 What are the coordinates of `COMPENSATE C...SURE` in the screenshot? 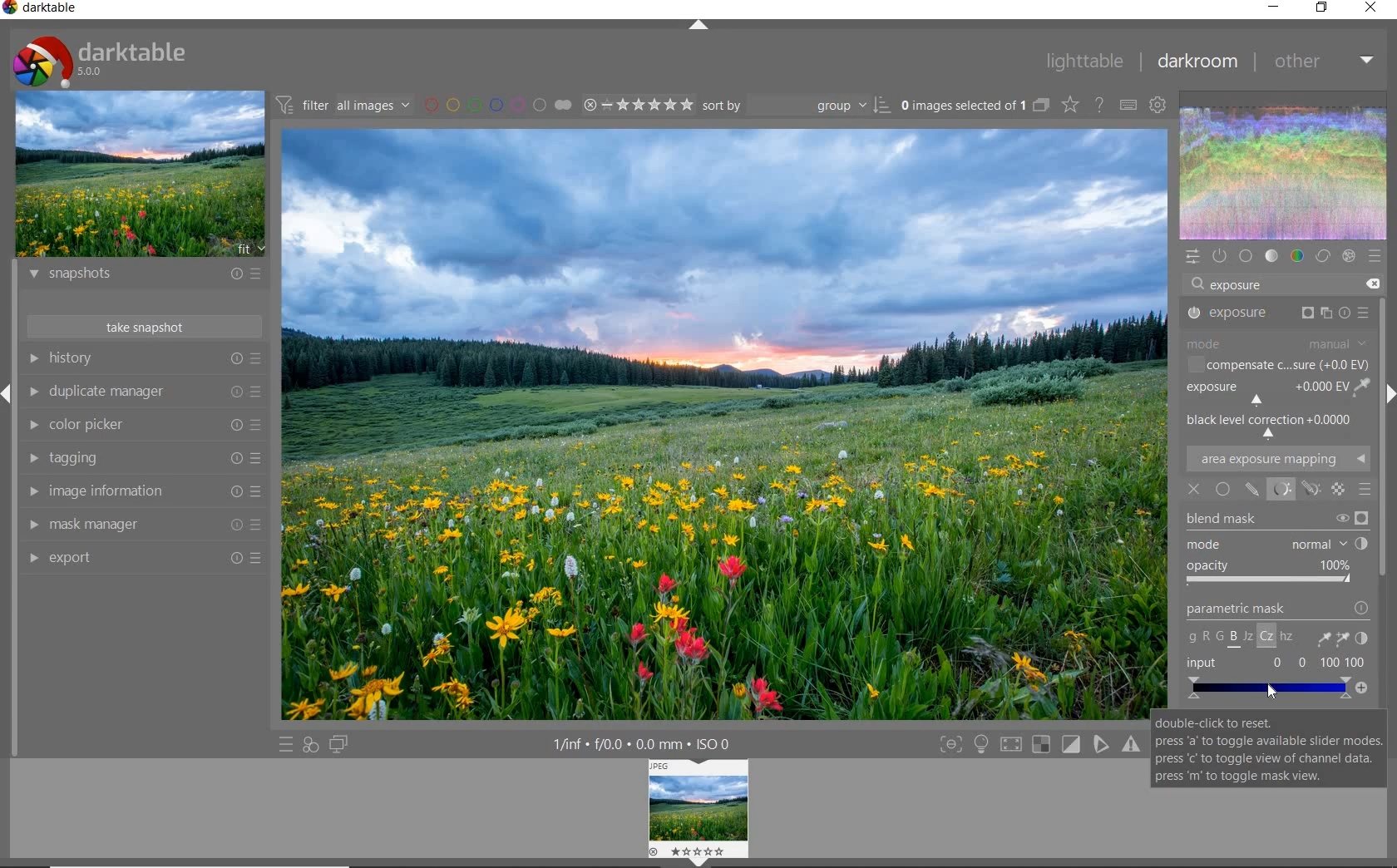 It's located at (1275, 365).